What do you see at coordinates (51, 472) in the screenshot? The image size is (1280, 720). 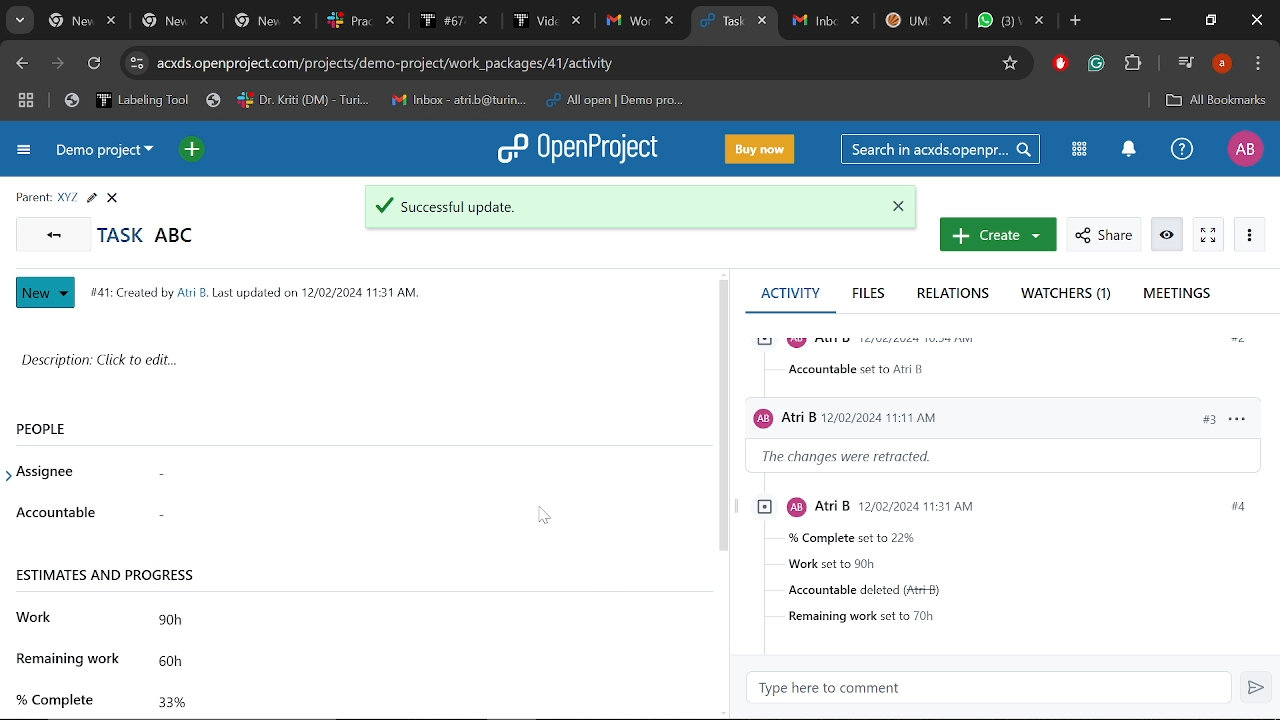 I see `assignee` at bounding box center [51, 472].